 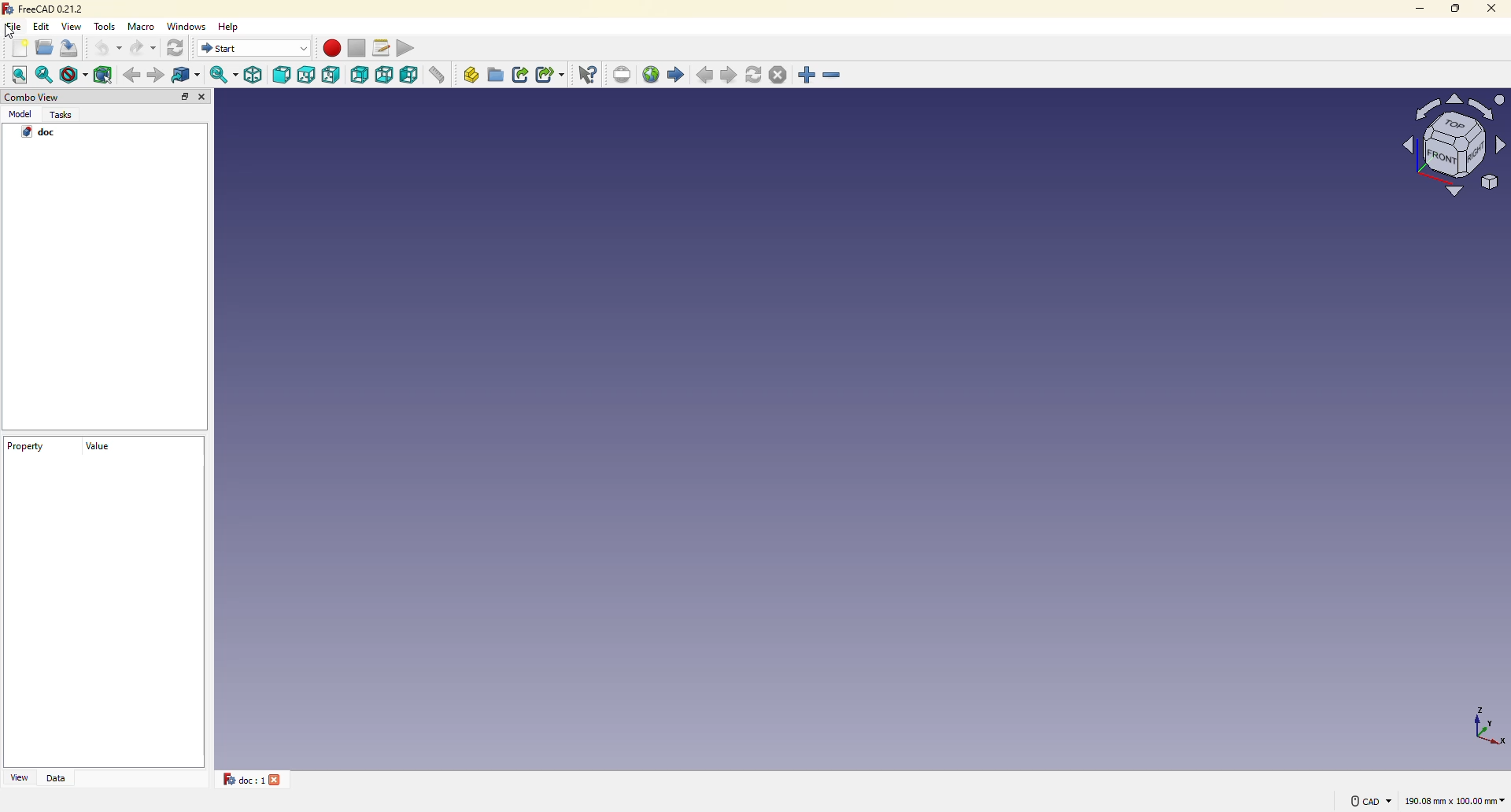 What do you see at coordinates (412, 76) in the screenshot?
I see `left` at bounding box center [412, 76].